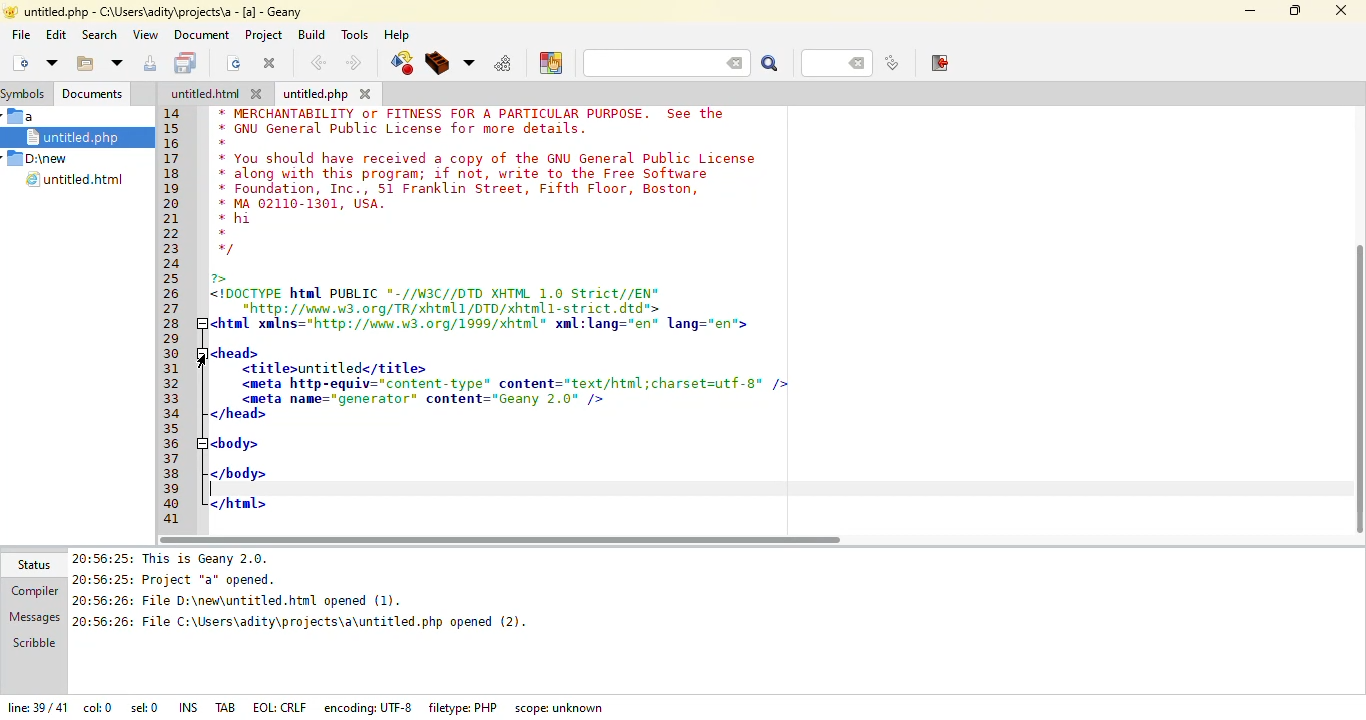 The image size is (1366, 720). I want to click on 20:56:25: This is Geany 2.0.

20:56:25: Project *a* opened.

20:56:26: File D:\new\untitled.html opened (1).

20:56:26: File C:\Users\adity\projects\a\untitled.php opened (2)., so click(332, 604).